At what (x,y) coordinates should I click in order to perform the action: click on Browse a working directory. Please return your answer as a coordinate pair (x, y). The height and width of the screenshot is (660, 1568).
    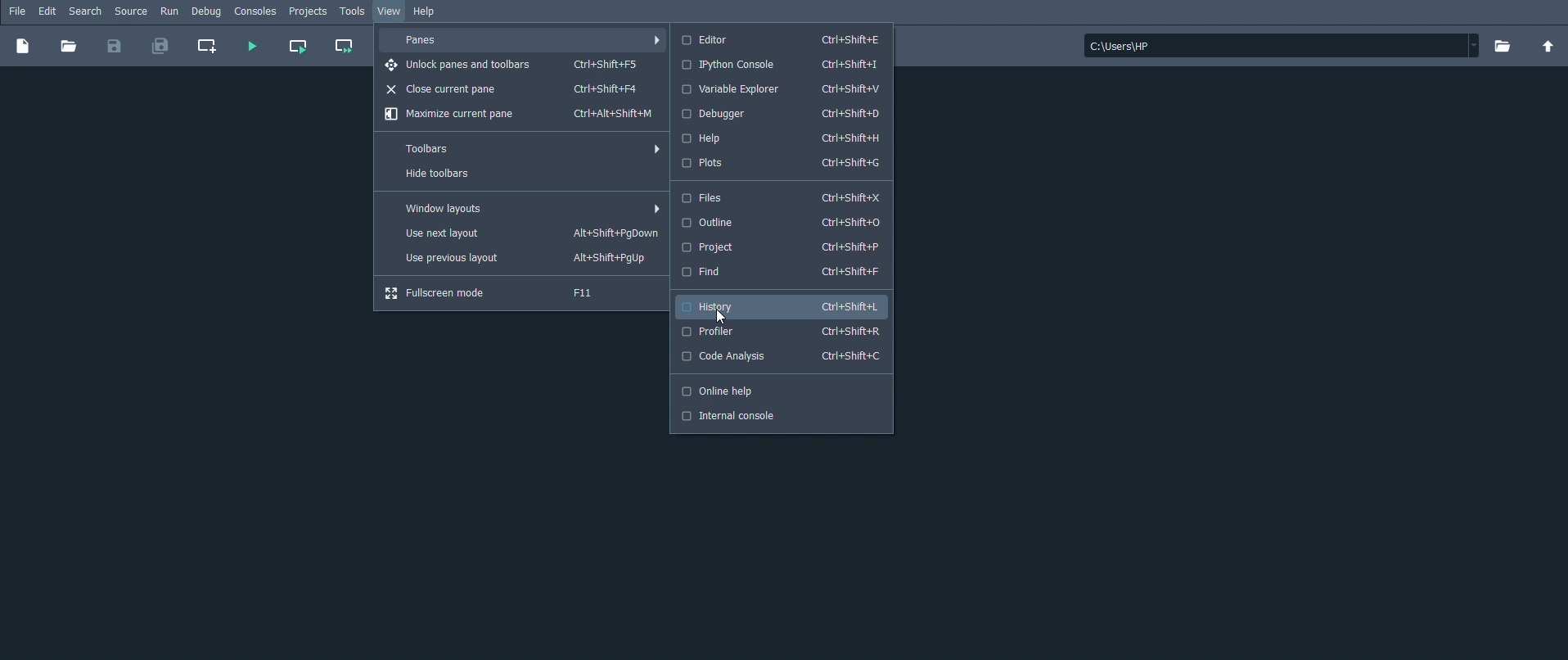
    Looking at the image, I should click on (1502, 46).